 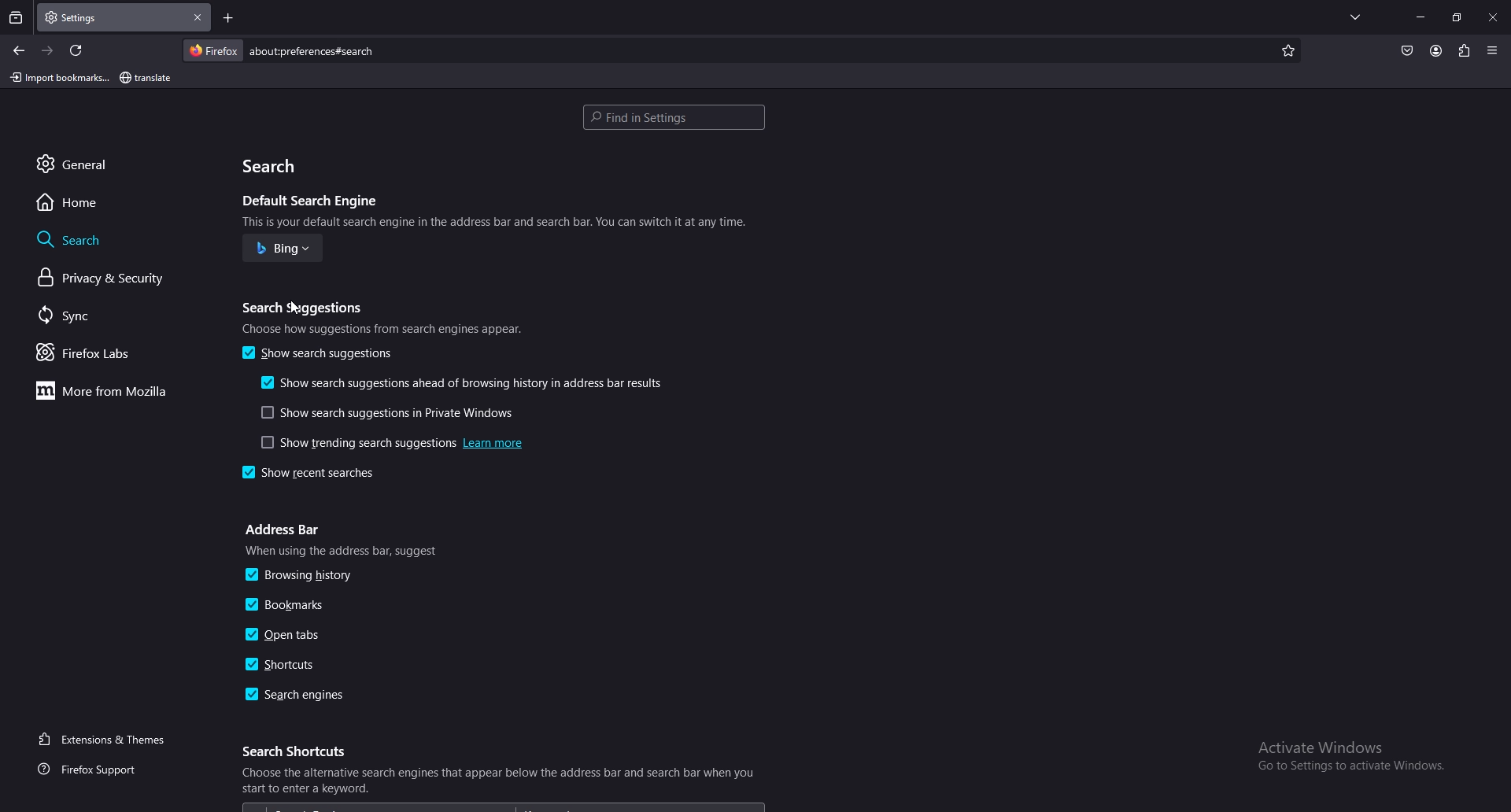 What do you see at coordinates (324, 474) in the screenshot?
I see `show recent searches` at bounding box center [324, 474].